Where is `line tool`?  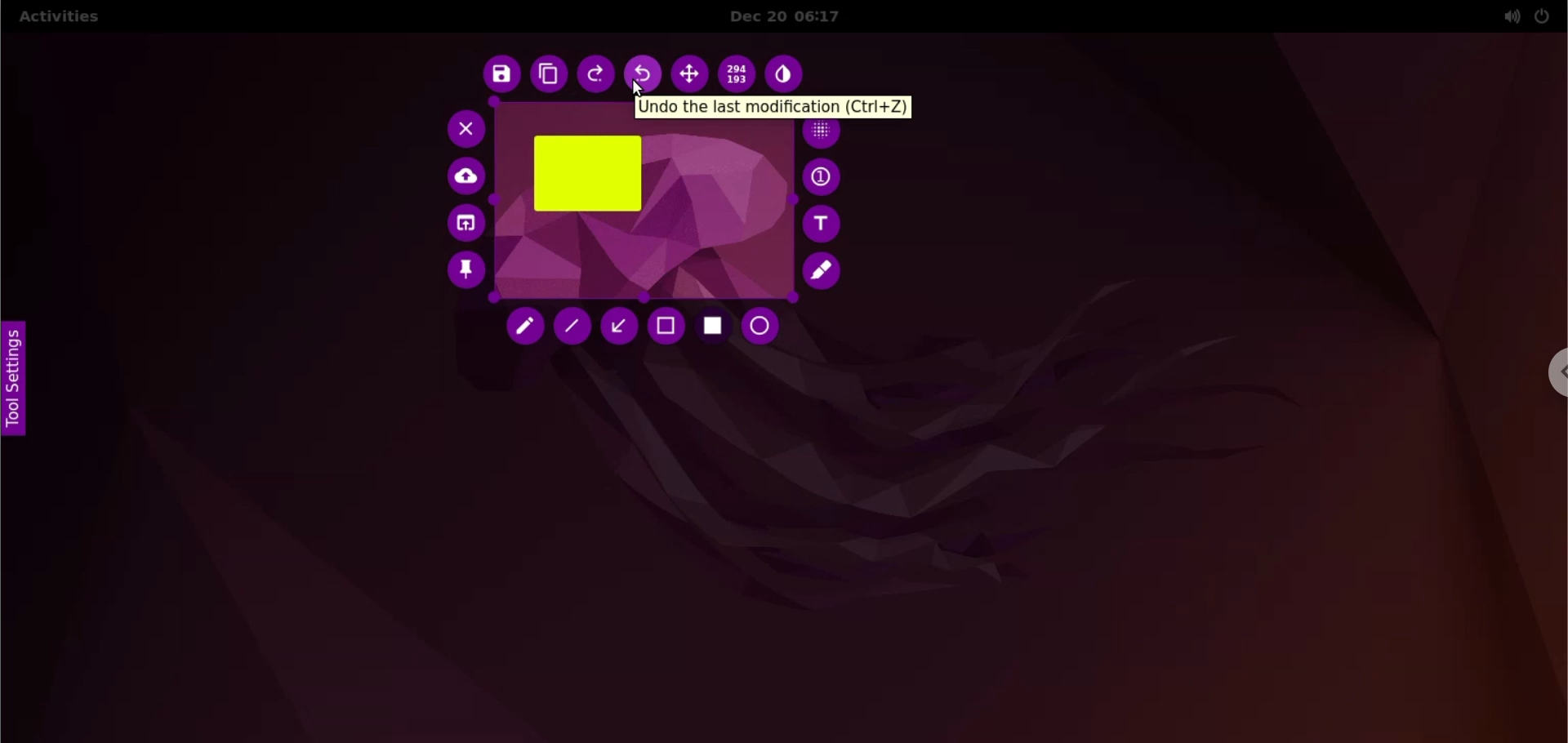 line tool is located at coordinates (572, 327).